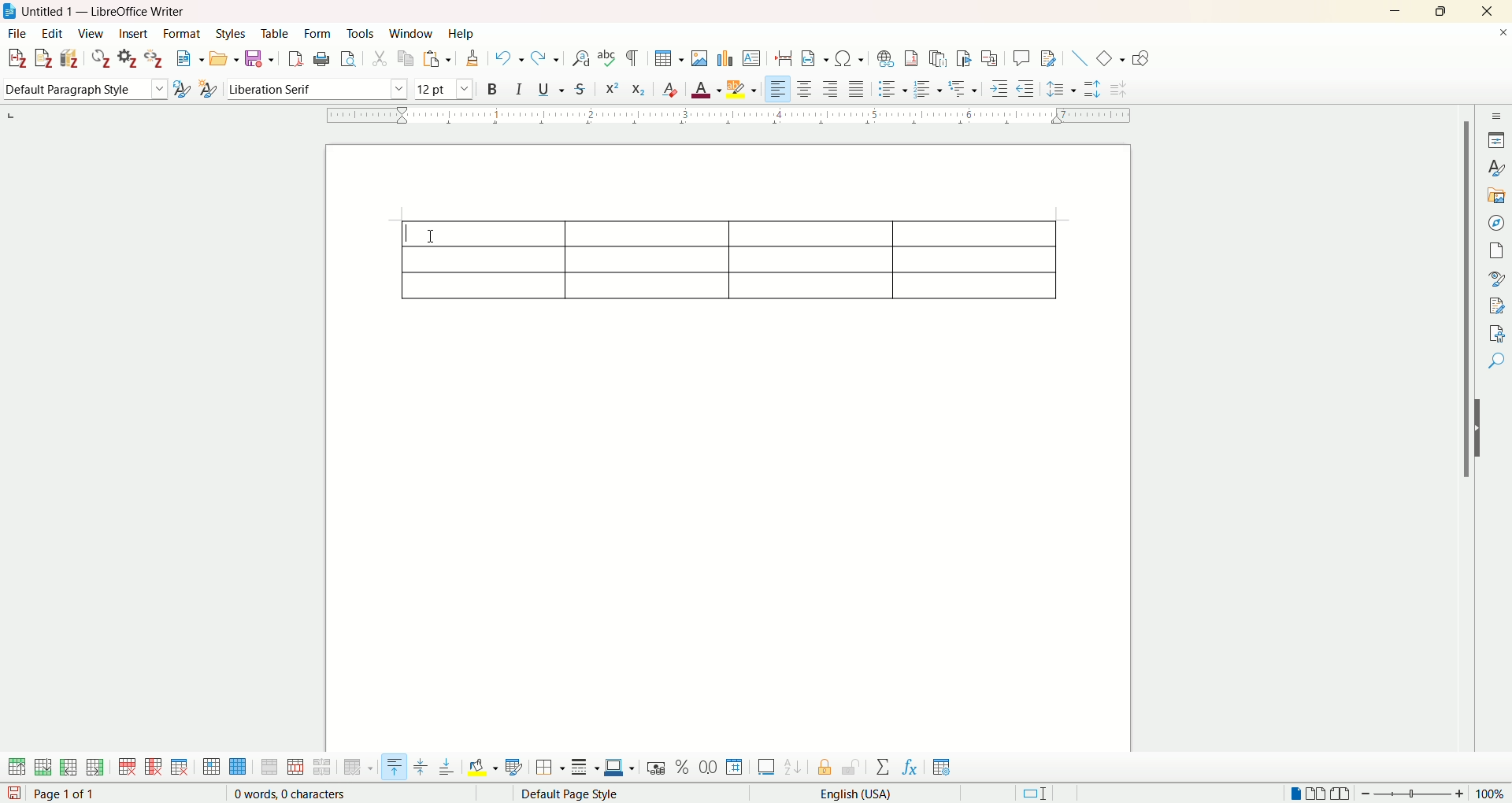  What do you see at coordinates (1495, 225) in the screenshot?
I see `navigator` at bounding box center [1495, 225].